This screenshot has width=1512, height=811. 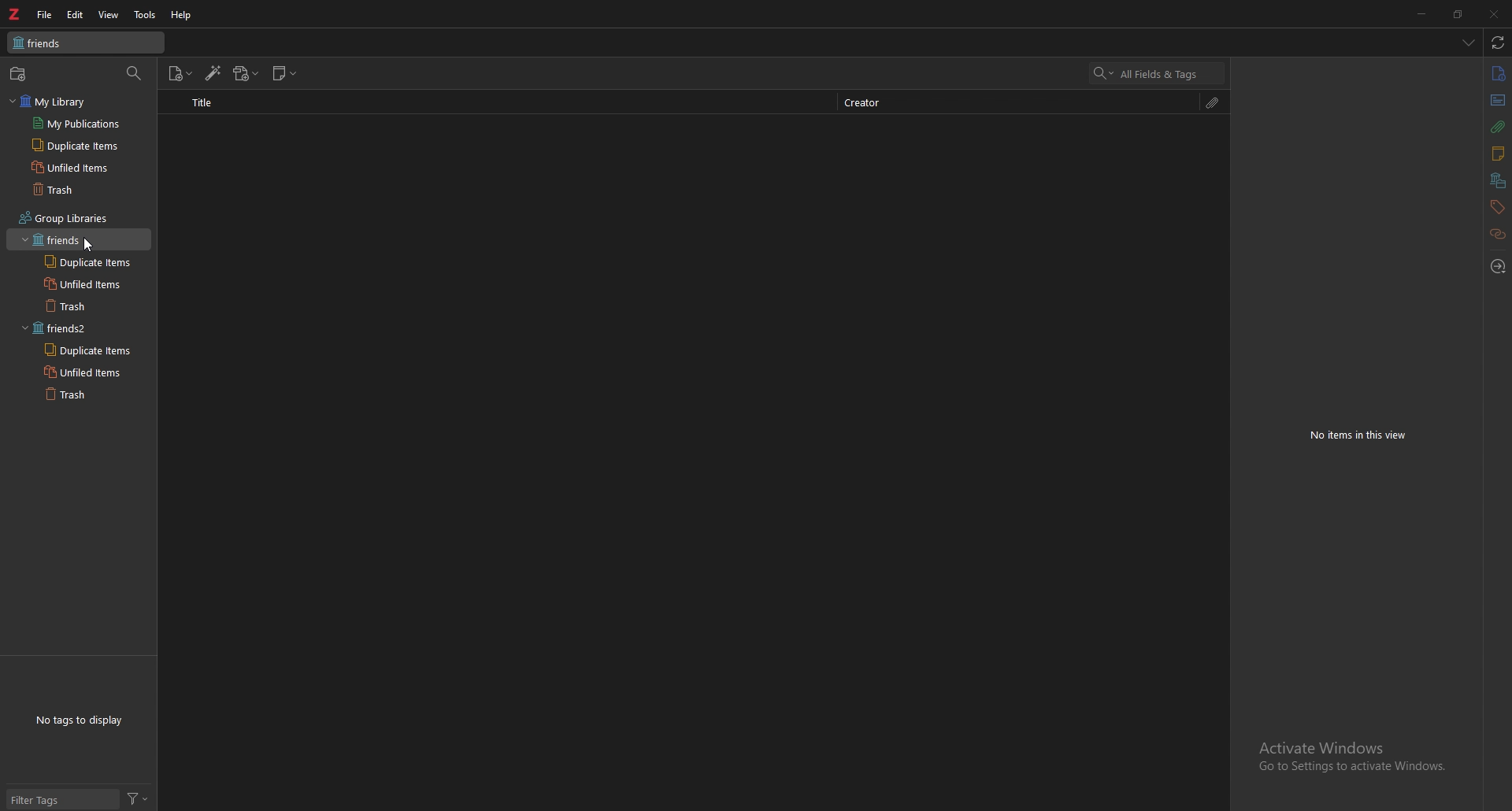 What do you see at coordinates (45, 15) in the screenshot?
I see `file` at bounding box center [45, 15].